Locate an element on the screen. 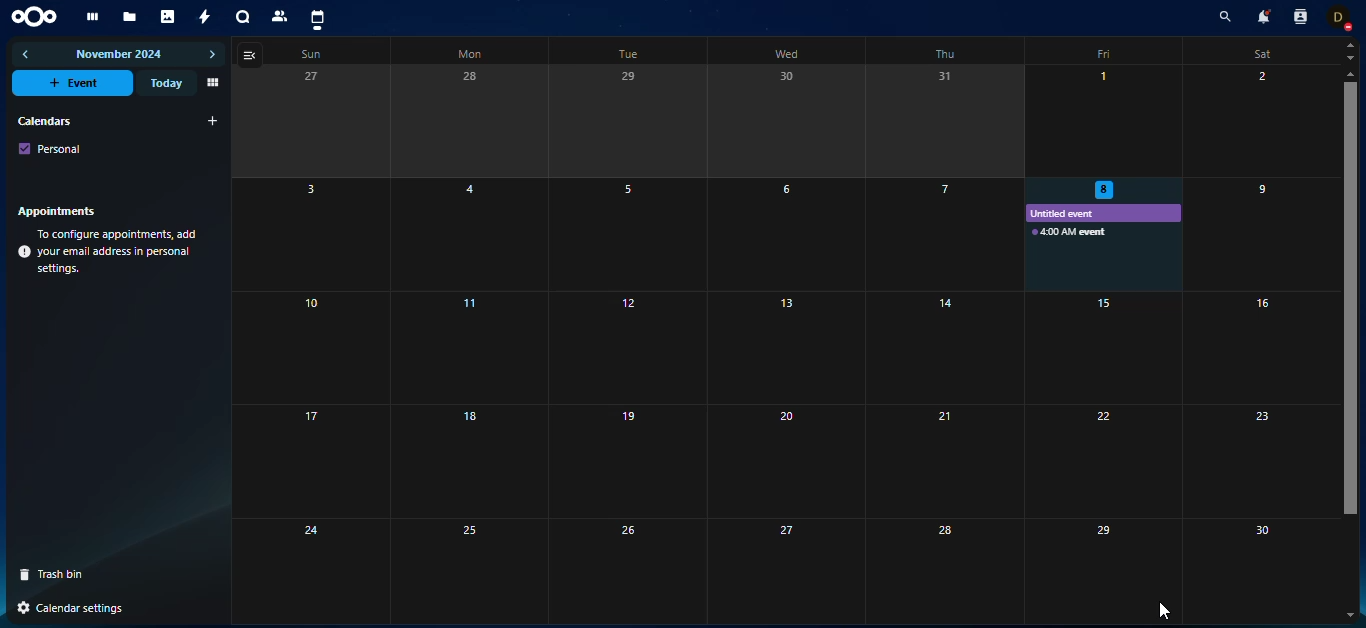 This screenshot has width=1366, height=628. 15 is located at coordinates (1100, 348).